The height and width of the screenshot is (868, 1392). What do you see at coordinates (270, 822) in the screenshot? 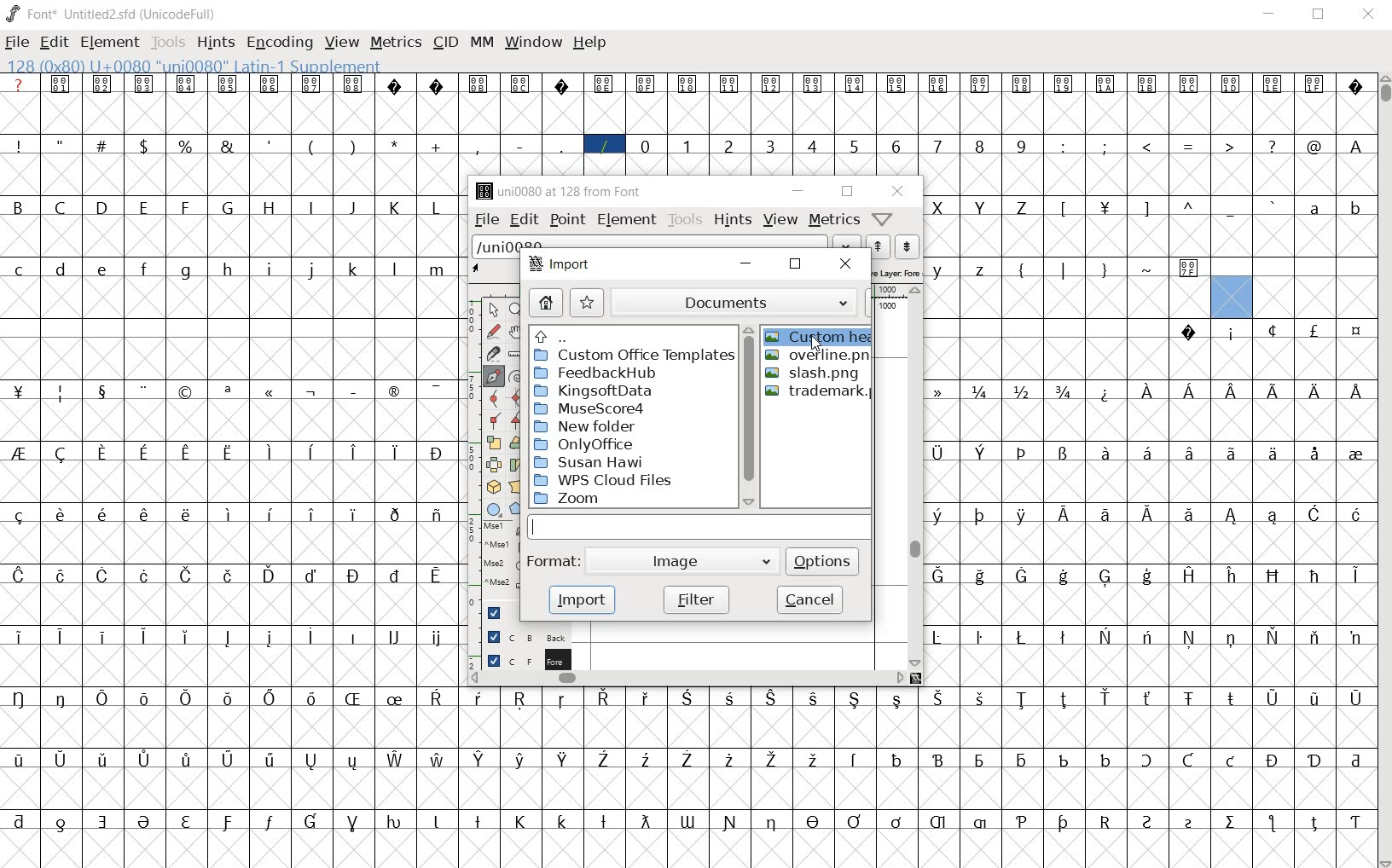
I see `glyph` at bounding box center [270, 822].